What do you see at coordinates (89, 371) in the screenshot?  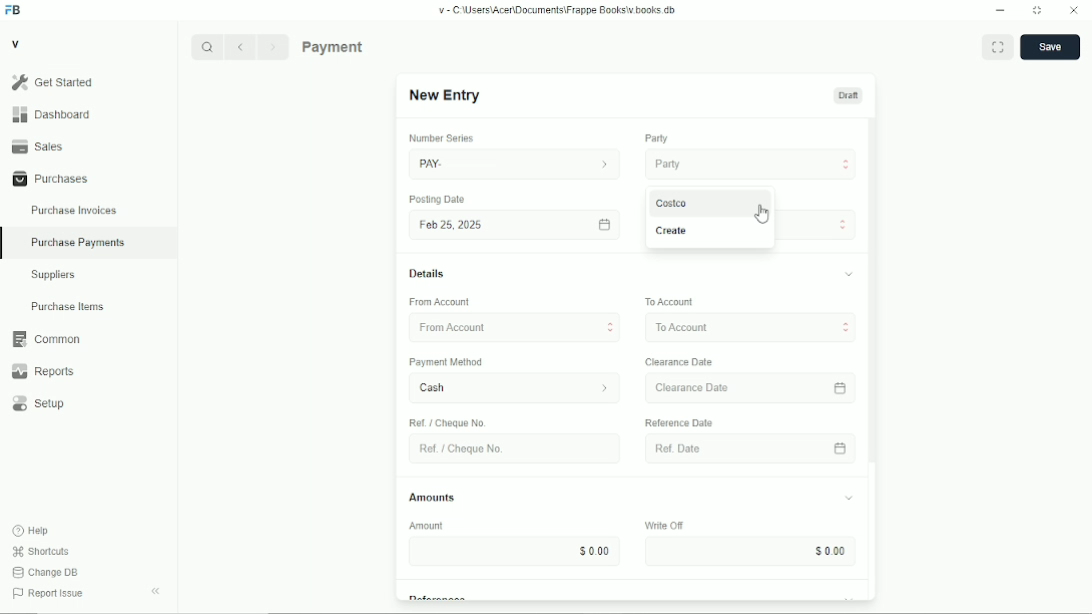 I see `Reports` at bounding box center [89, 371].